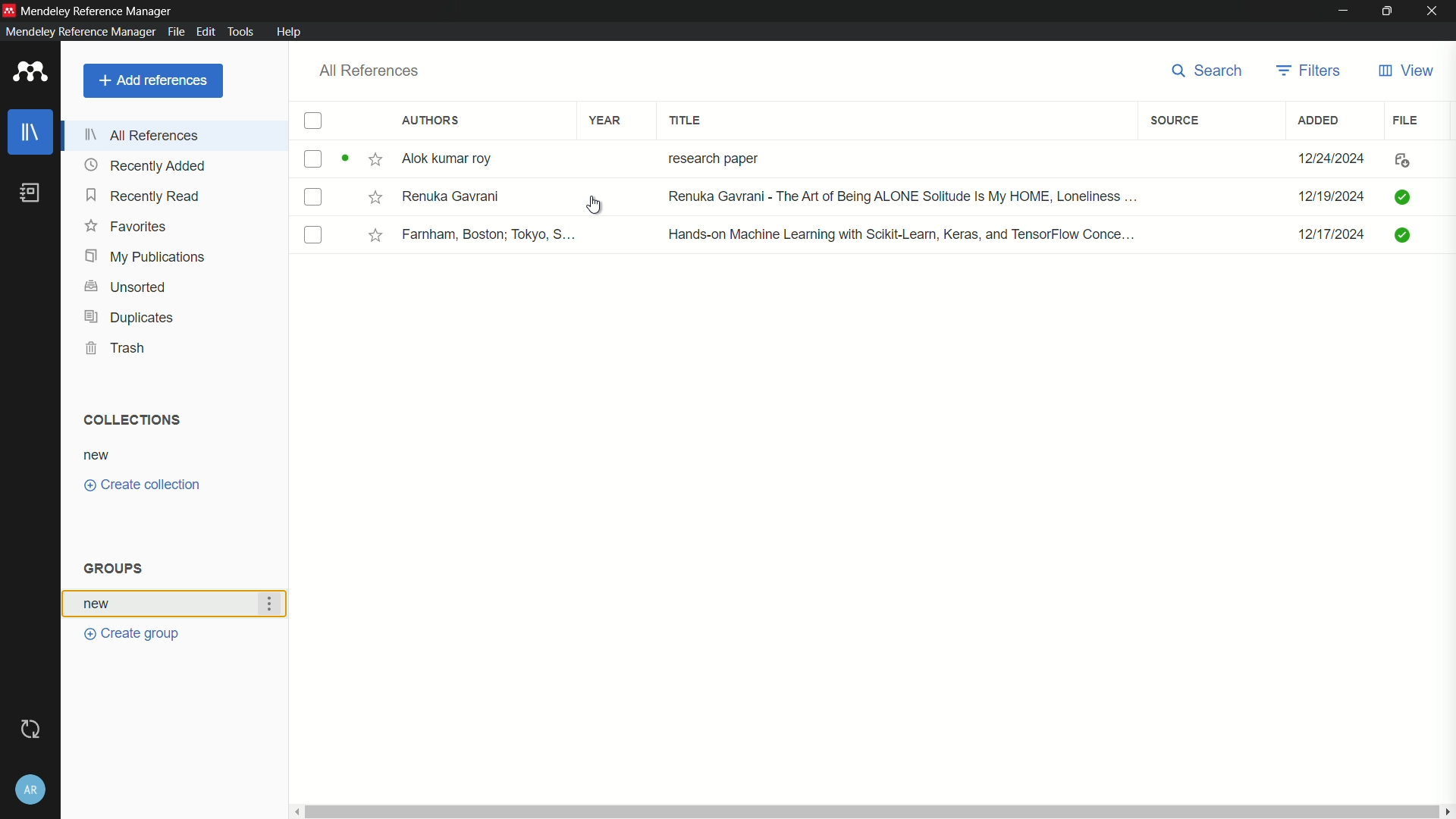  Describe the element at coordinates (491, 237) in the screenshot. I see `Famhan, Boston` at that location.